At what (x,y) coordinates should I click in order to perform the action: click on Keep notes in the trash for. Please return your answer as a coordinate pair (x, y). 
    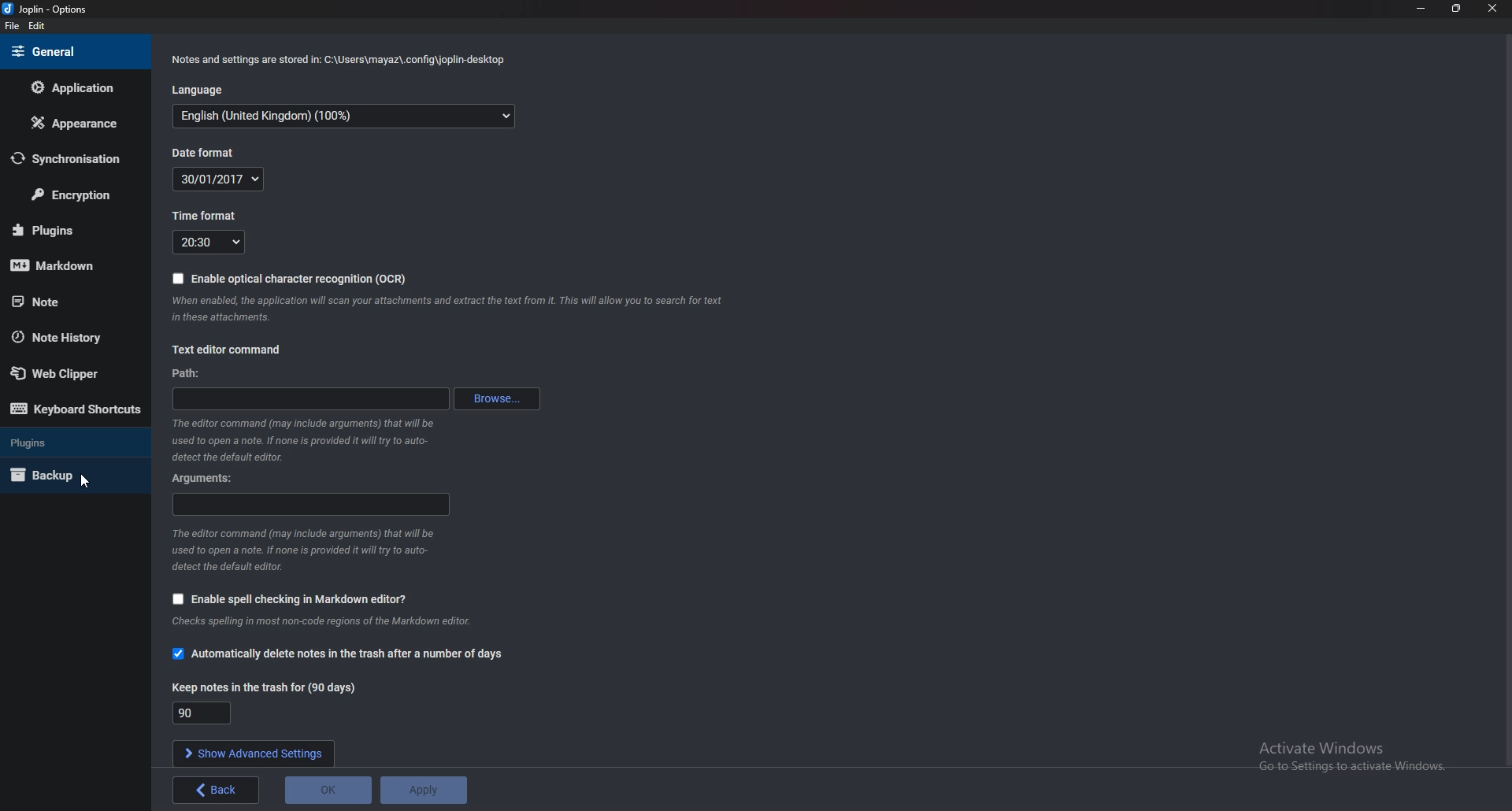
    Looking at the image, I should click on (267, 689).